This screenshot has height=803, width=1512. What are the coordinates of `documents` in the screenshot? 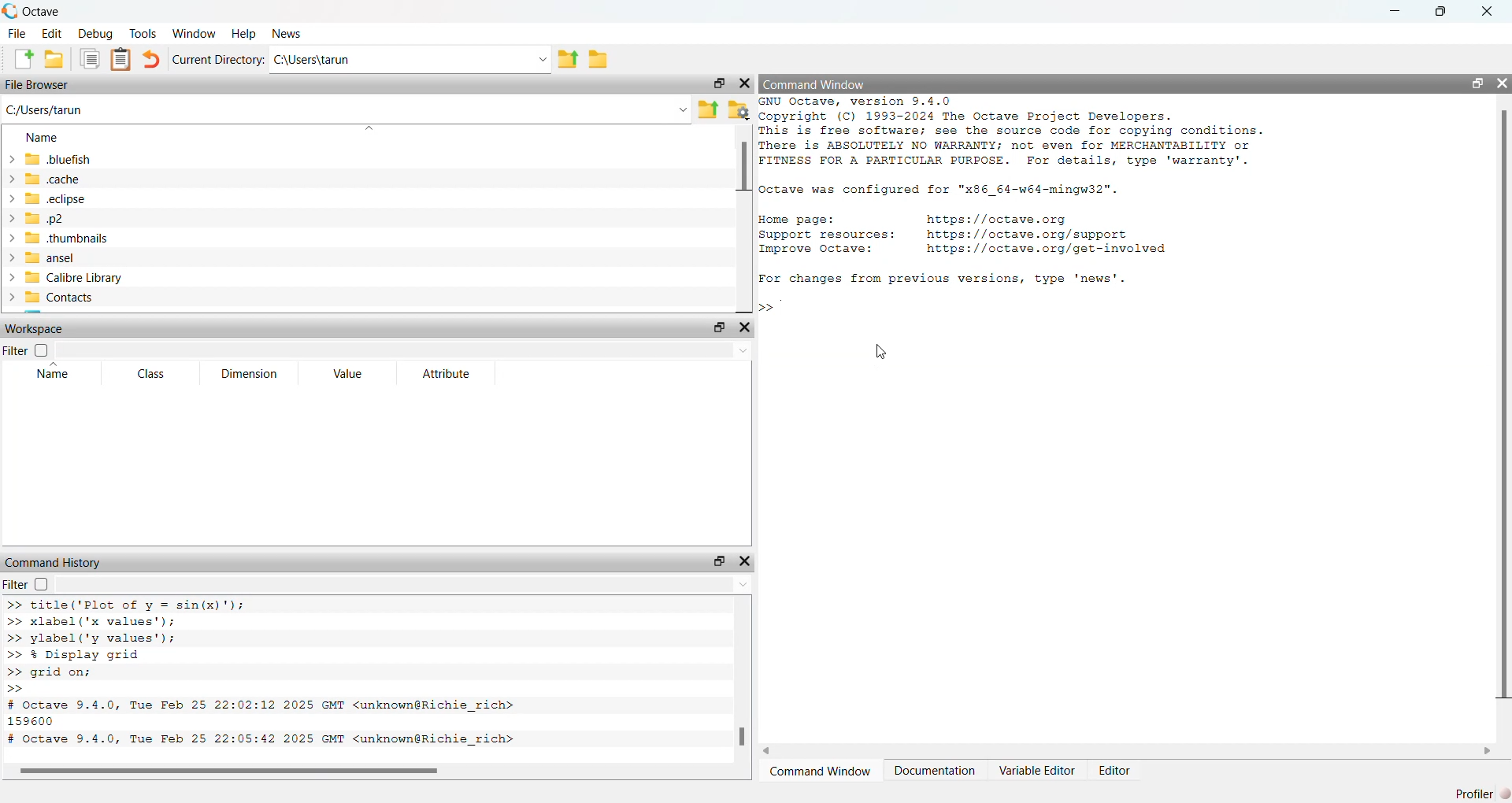 It's located at (91, 58).